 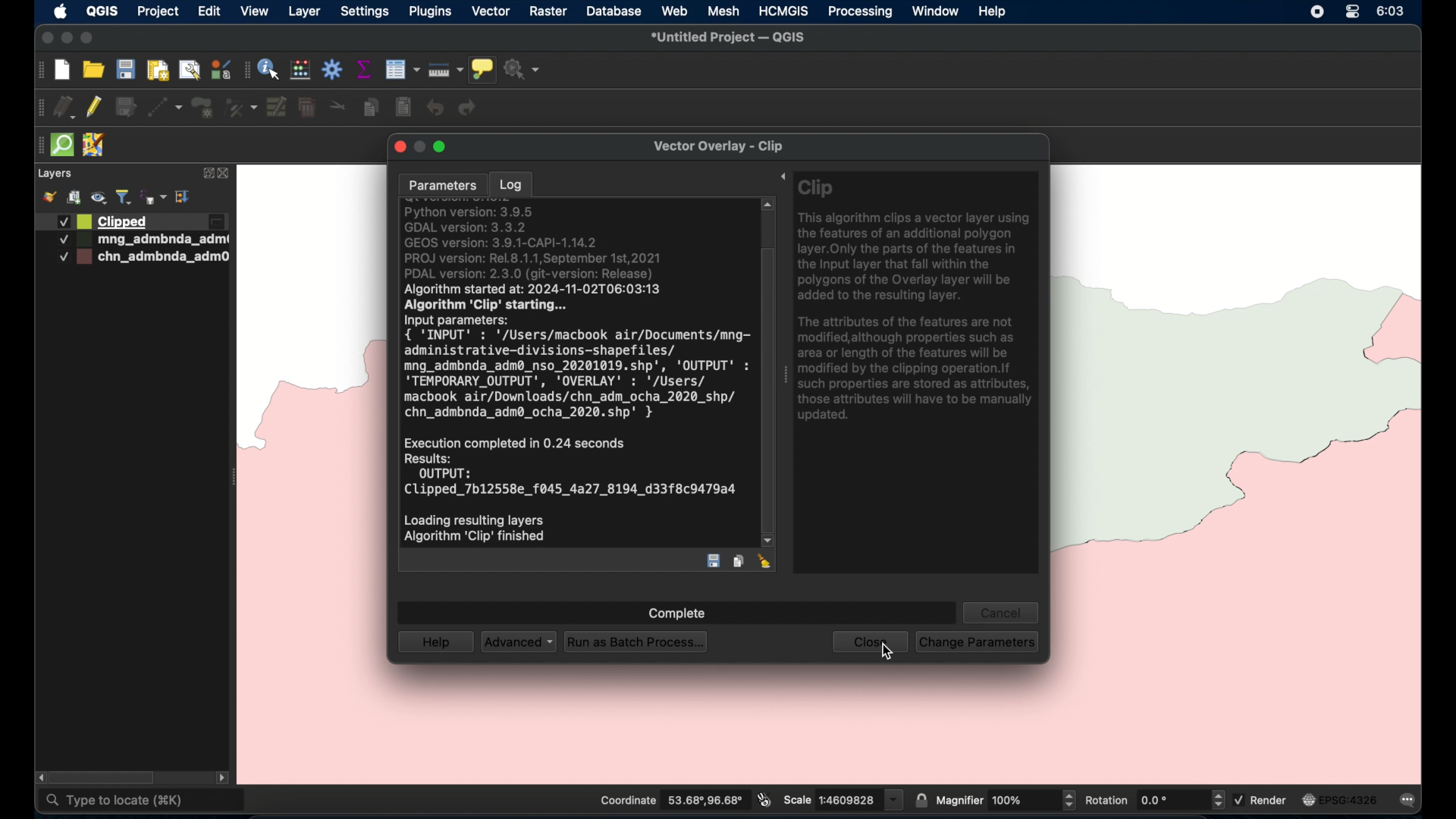 I want to click on scroll down arrow, so click(x=768, y=541).